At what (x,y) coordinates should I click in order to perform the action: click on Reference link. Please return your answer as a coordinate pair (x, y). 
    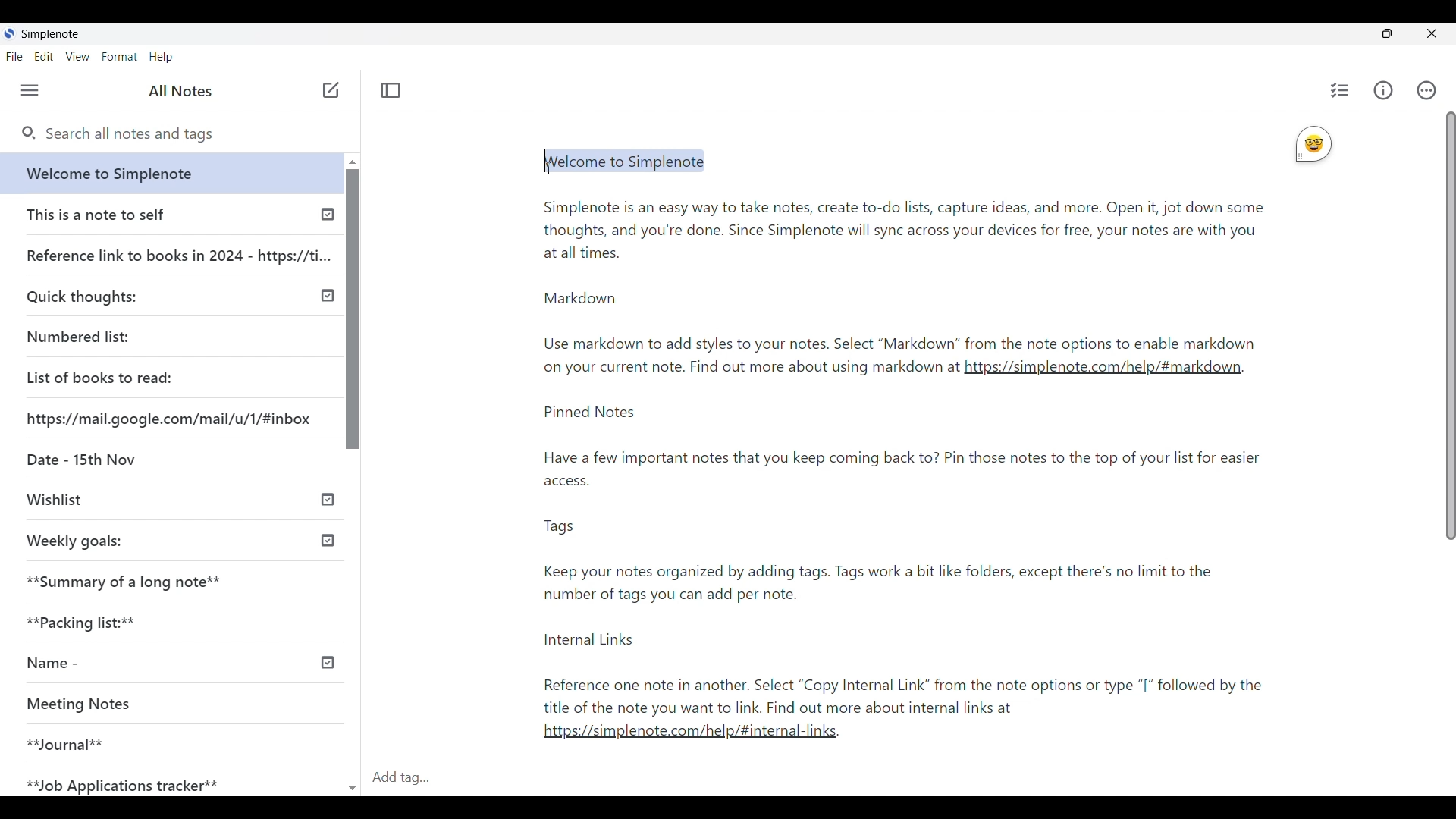
    Looking at the image, I should click on (179, 253).